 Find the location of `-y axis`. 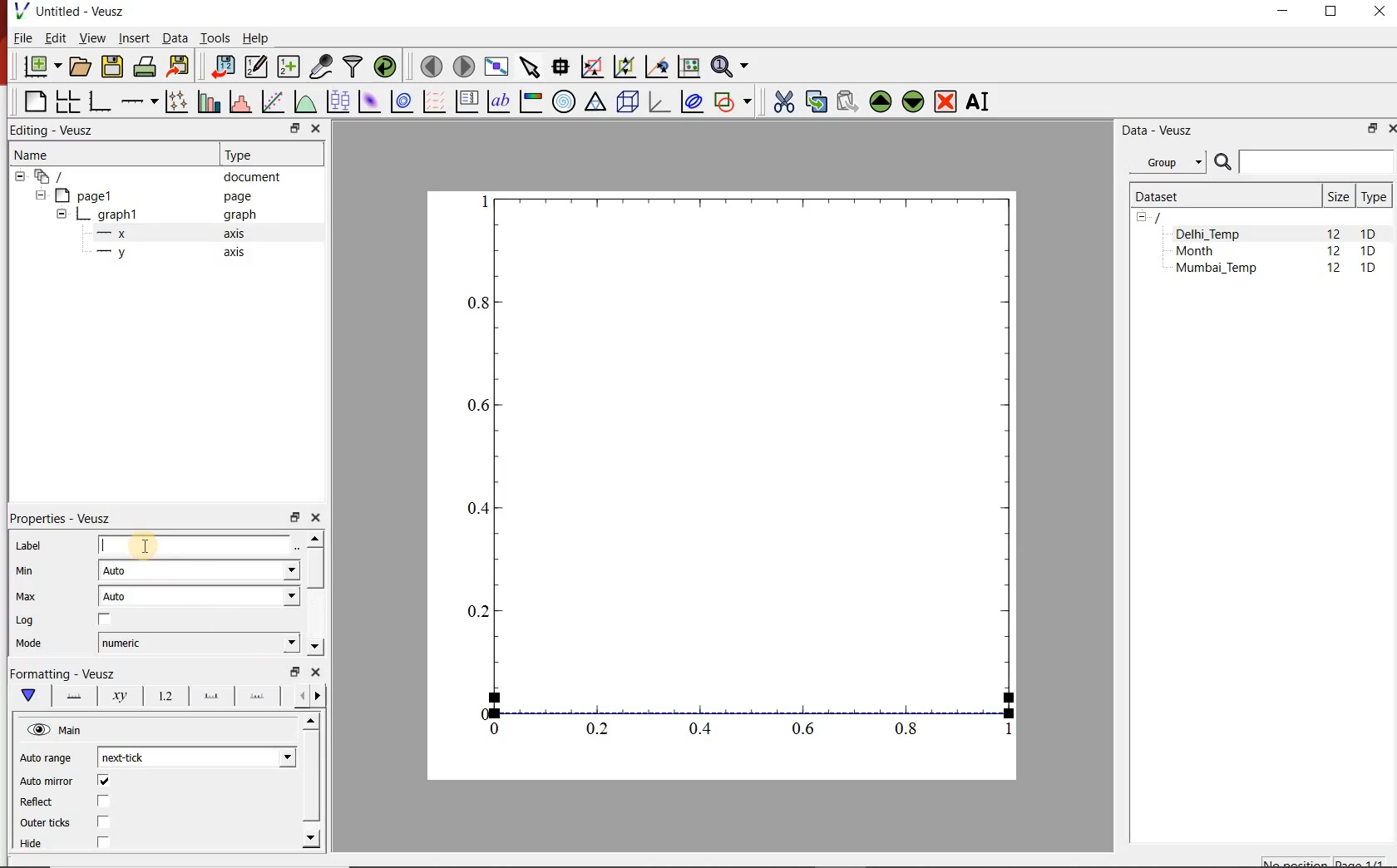

-y axis is located at coordinates (164, 254).